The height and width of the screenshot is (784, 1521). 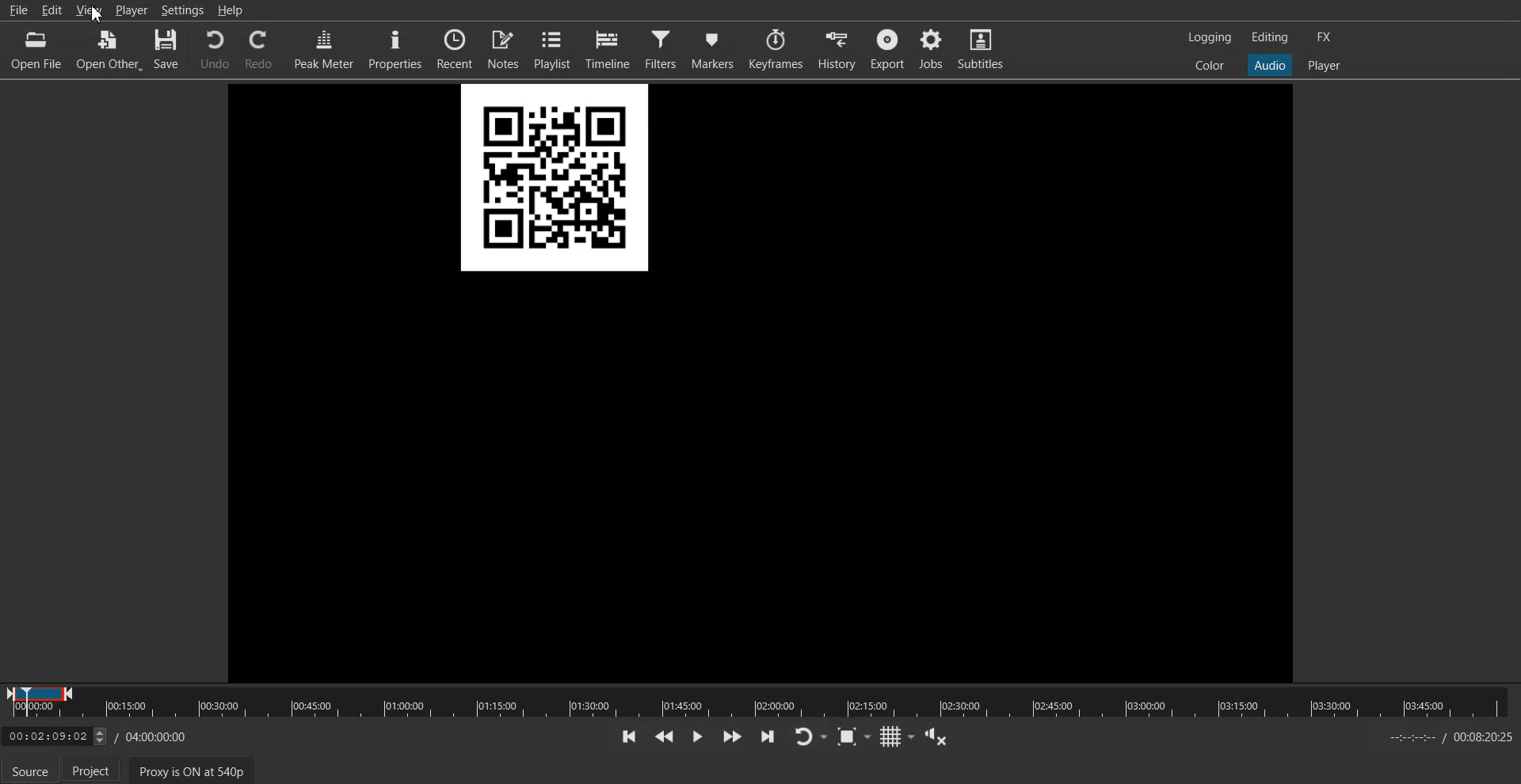 What do you see at coordinates (1325, 37) in the screenshot?
I see `Switch to the effect layout` at bounding box center [1325, 37].